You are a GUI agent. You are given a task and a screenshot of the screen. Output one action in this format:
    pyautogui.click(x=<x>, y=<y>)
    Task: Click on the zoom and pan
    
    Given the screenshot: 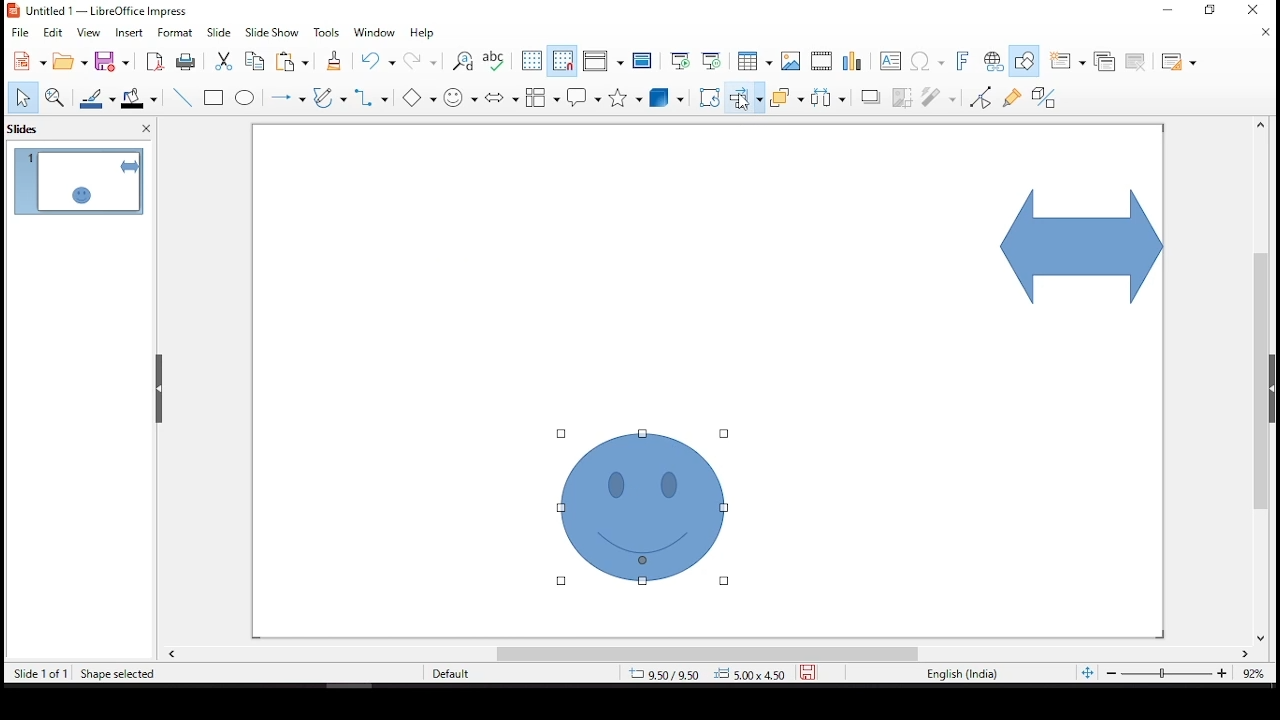 What is the action you would take?
    pyautogui.click(x=53, y=95)
    